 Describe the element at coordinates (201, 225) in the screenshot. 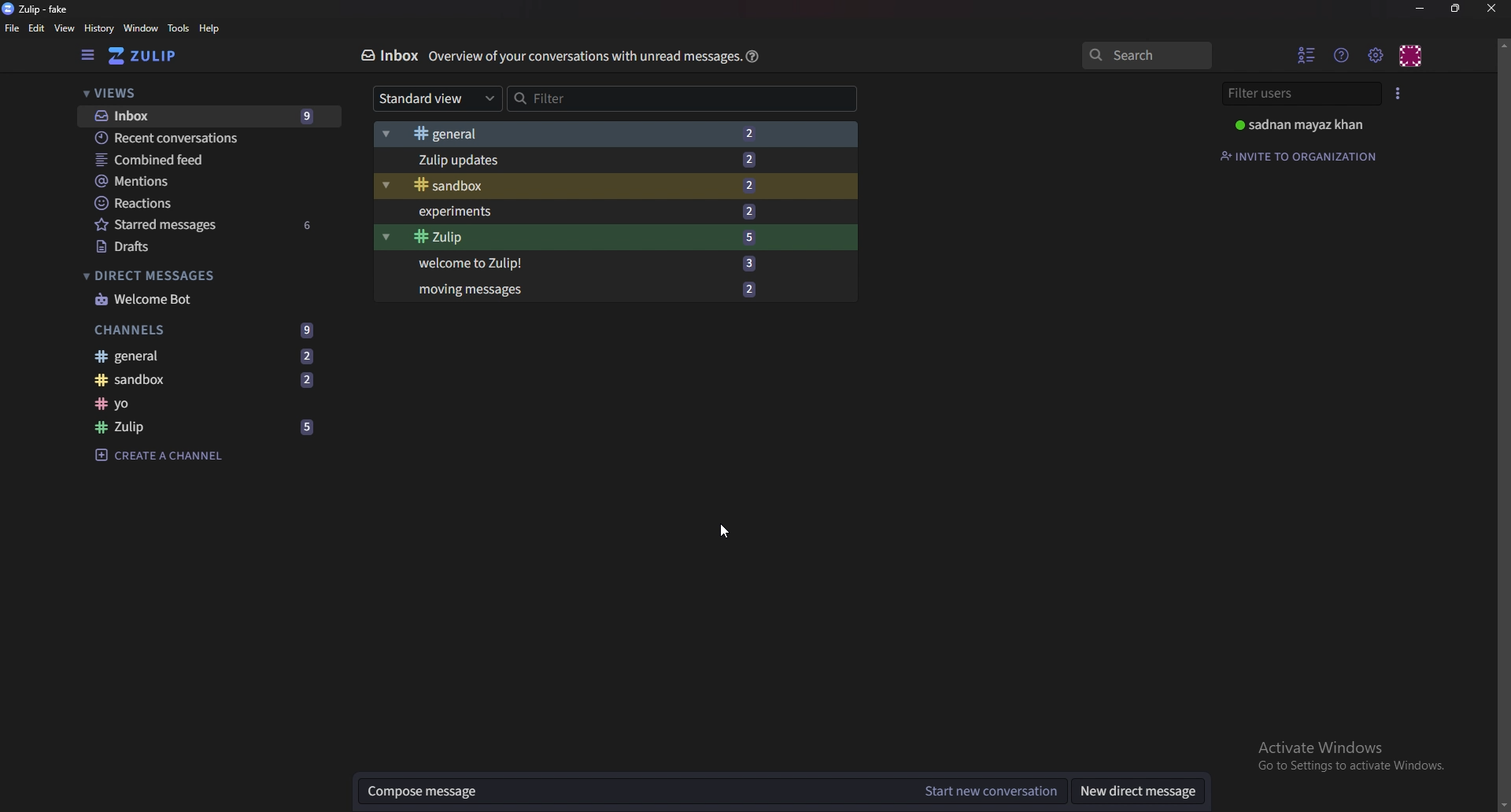

I see `starred messages` at that location.